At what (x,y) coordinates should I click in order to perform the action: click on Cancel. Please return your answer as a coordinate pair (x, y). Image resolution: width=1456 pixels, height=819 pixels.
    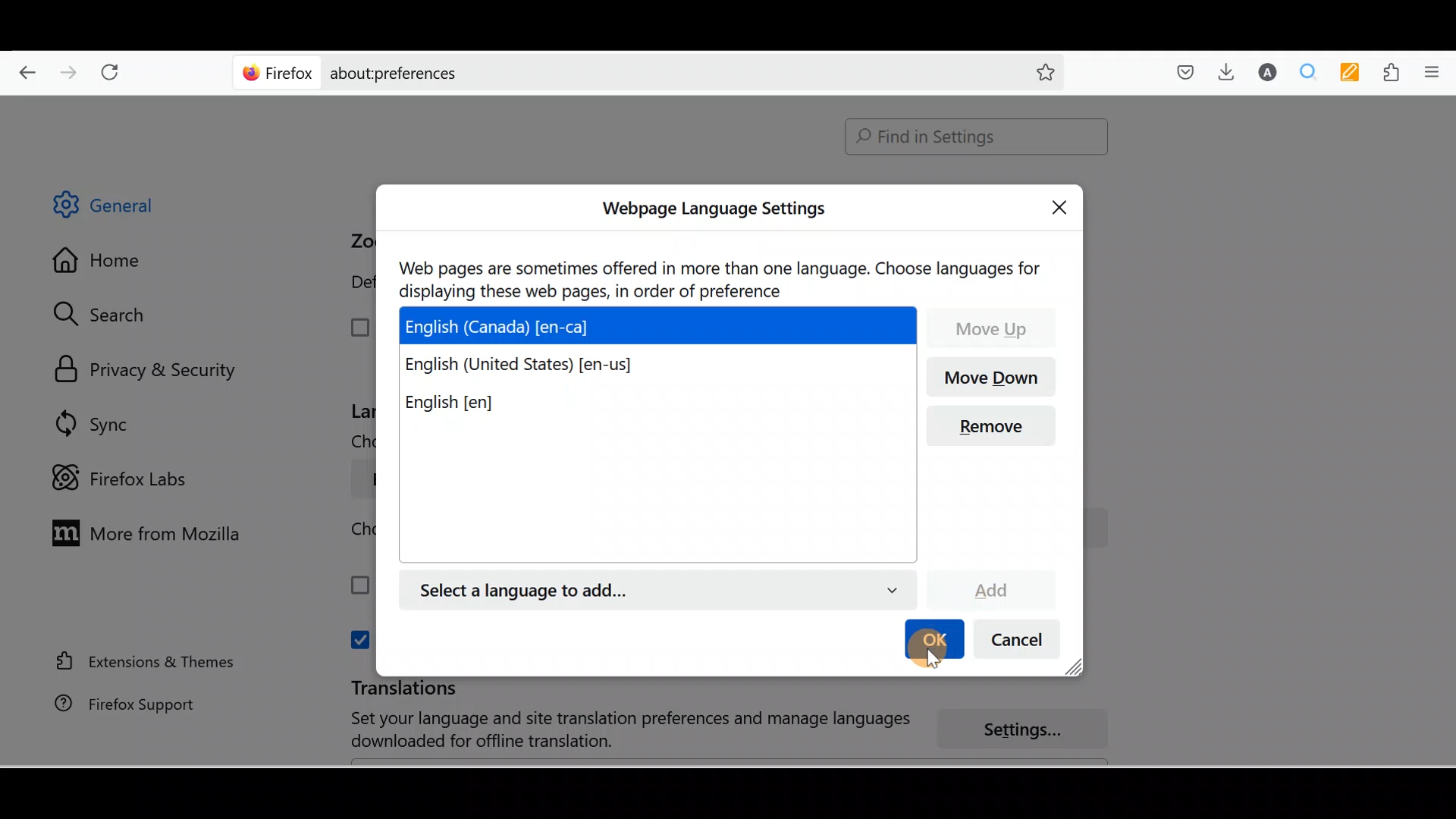
    Looking at the image, I should click on (1021, 643).